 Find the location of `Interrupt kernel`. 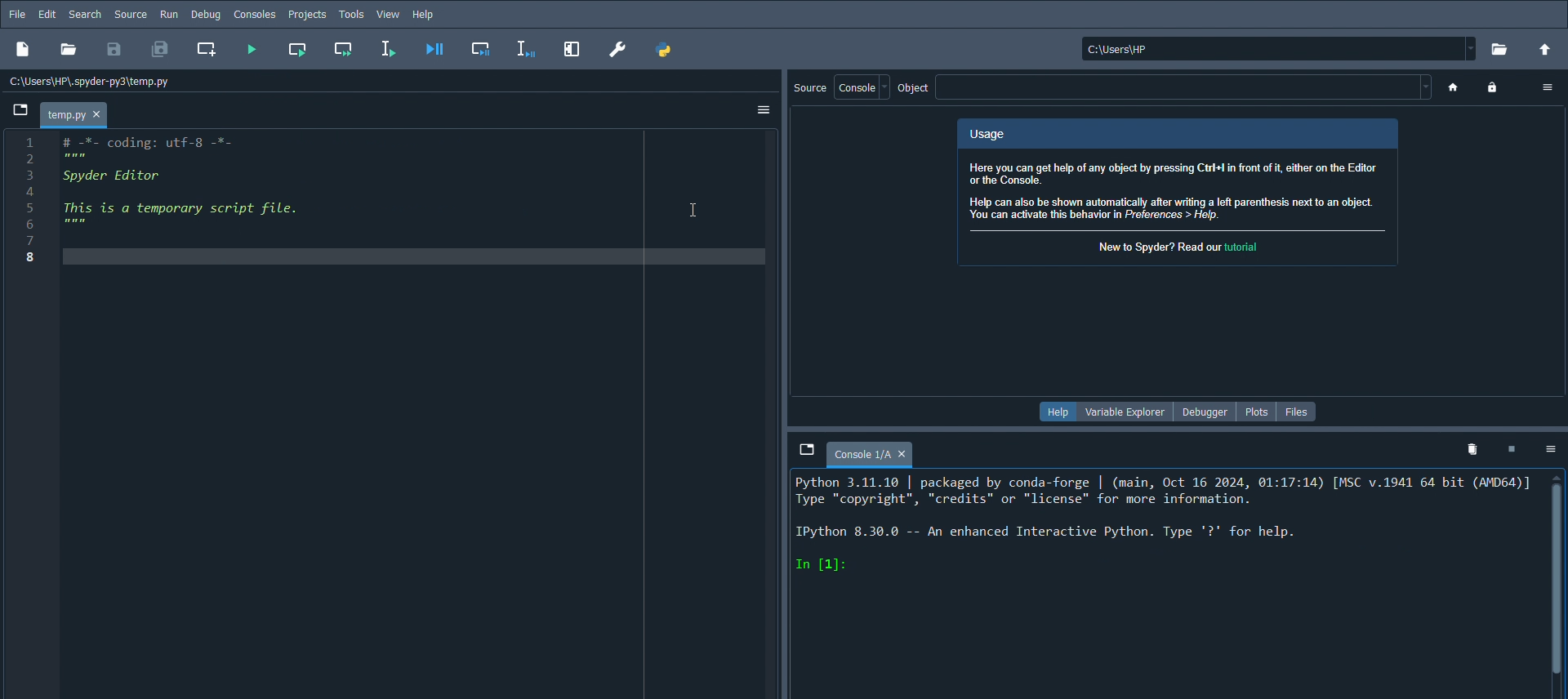

Interrupt kernel is located at coordinates (1506, 449).